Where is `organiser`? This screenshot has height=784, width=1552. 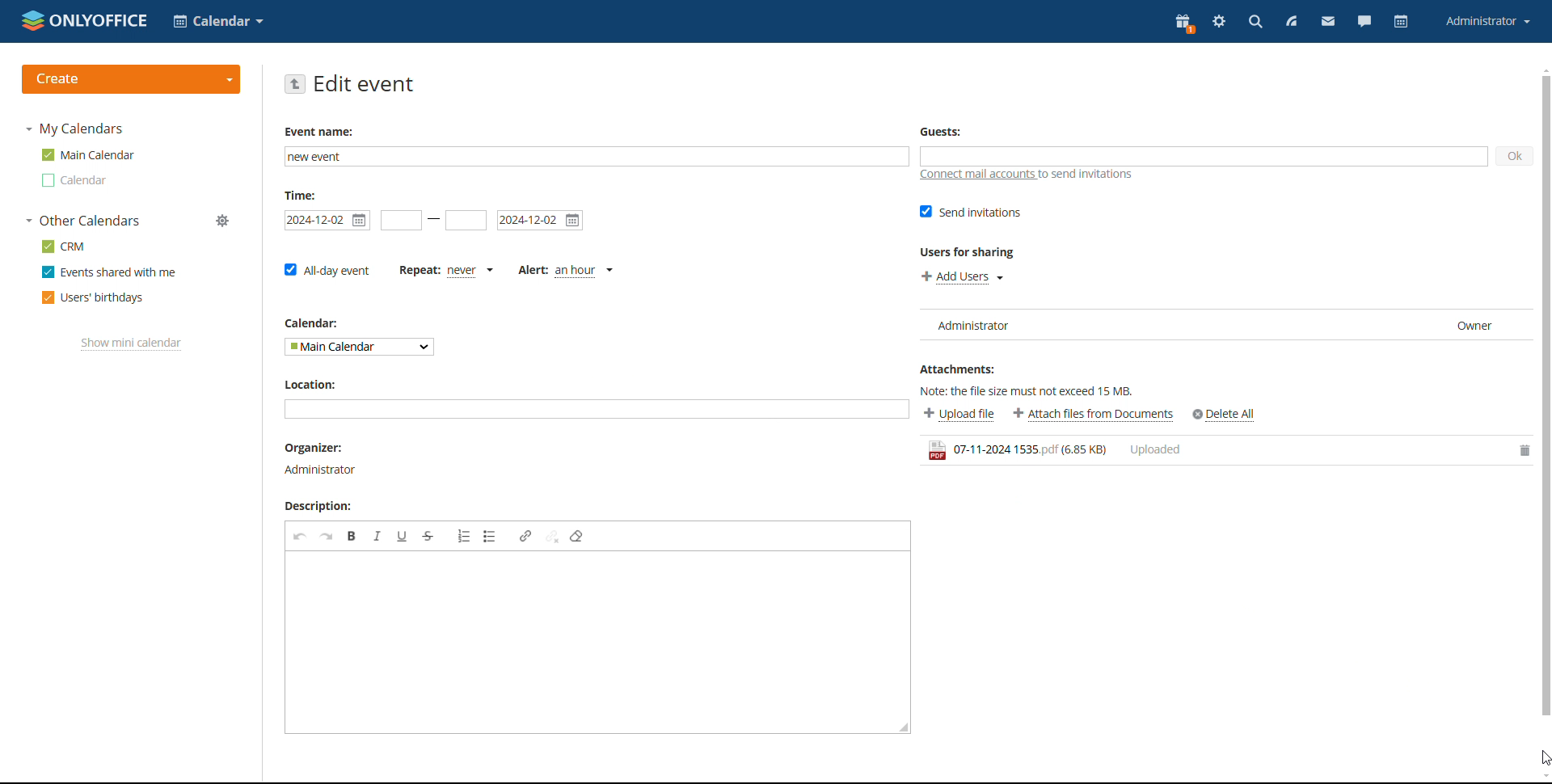
organiser is located at coordinates (322, 460).